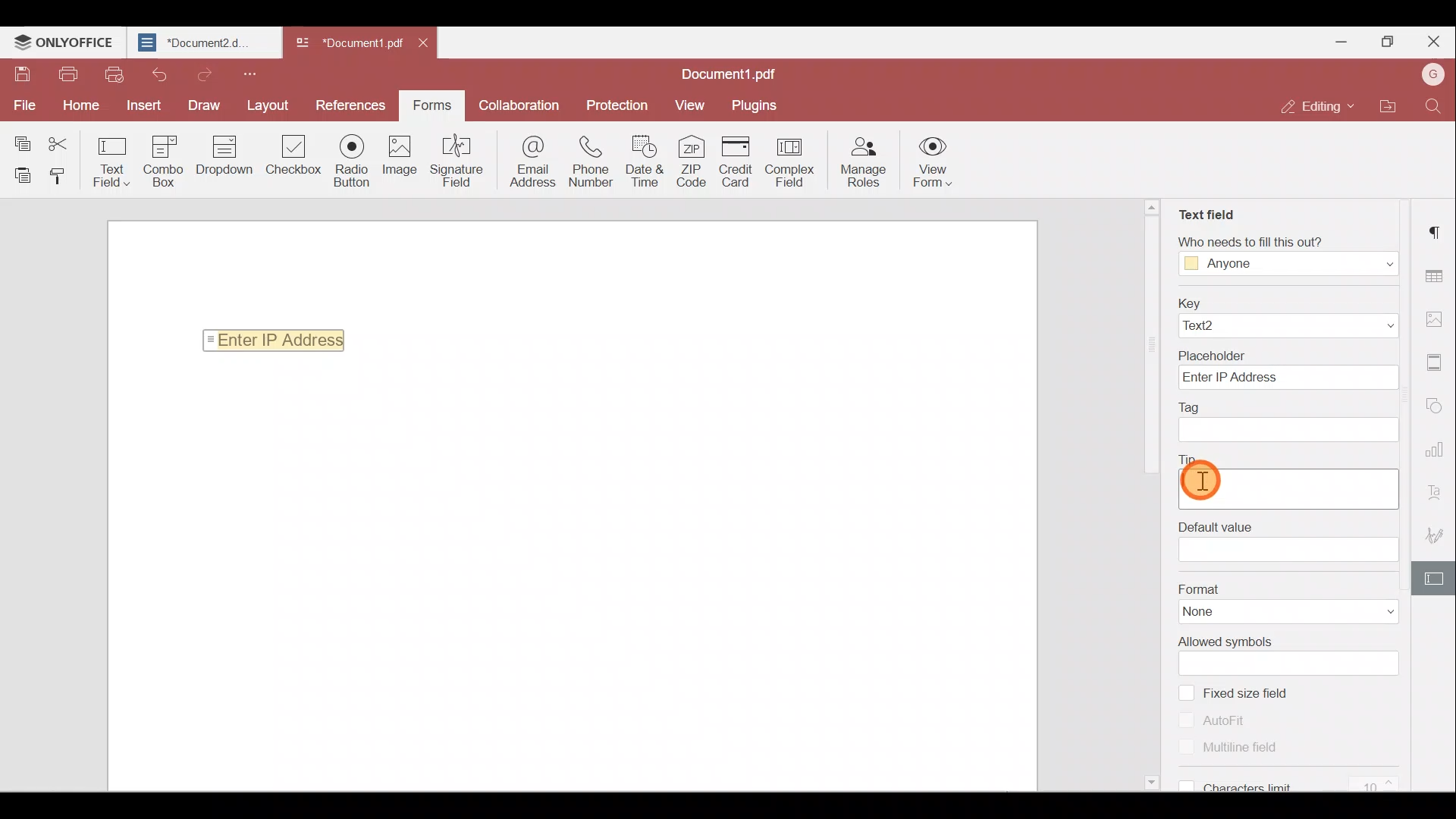 This screenshot has width=1456, height=819. I want to click on Header & footer settings, so click(1437, 362).